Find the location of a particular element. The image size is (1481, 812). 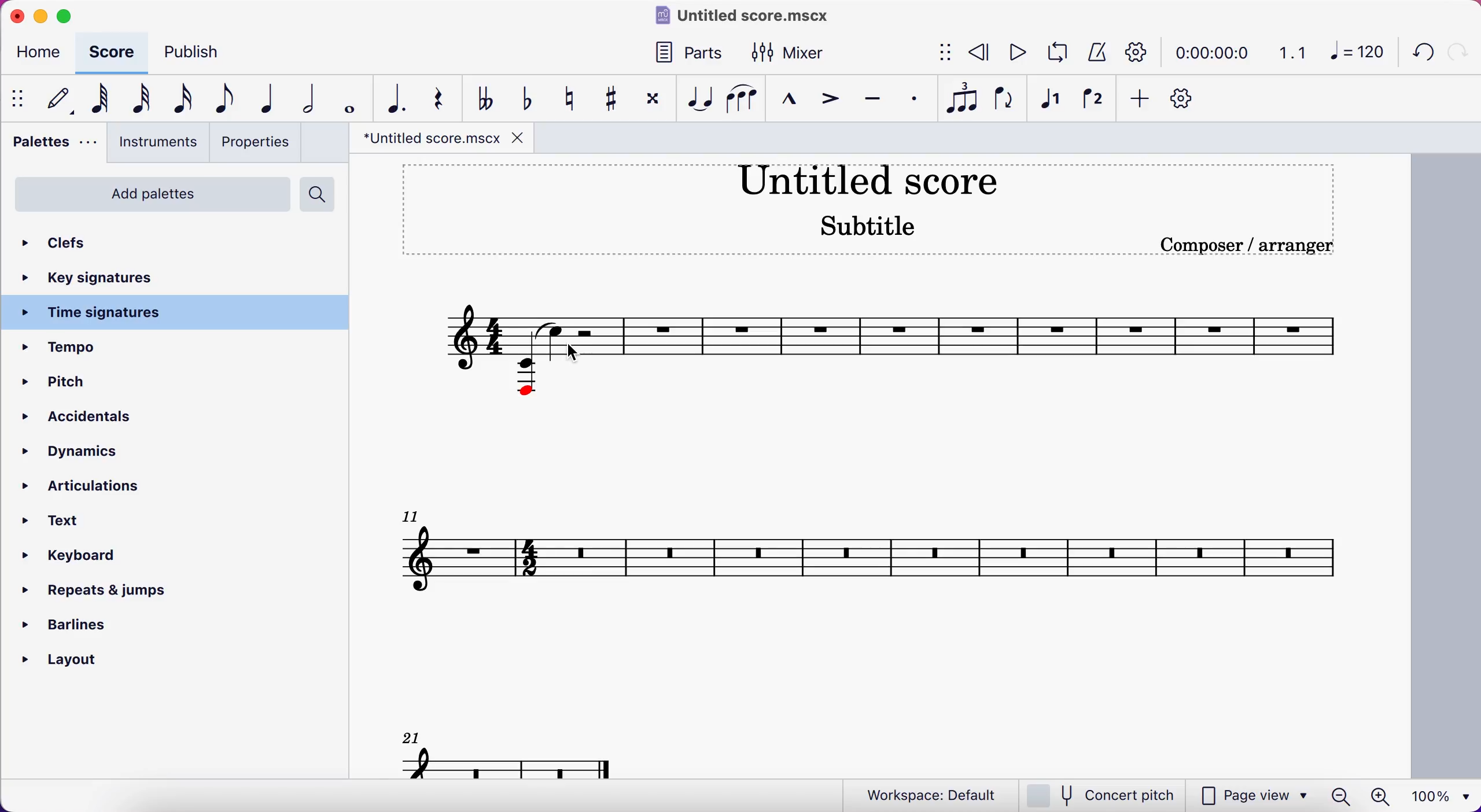

slur is located at coordinates (741, 99).